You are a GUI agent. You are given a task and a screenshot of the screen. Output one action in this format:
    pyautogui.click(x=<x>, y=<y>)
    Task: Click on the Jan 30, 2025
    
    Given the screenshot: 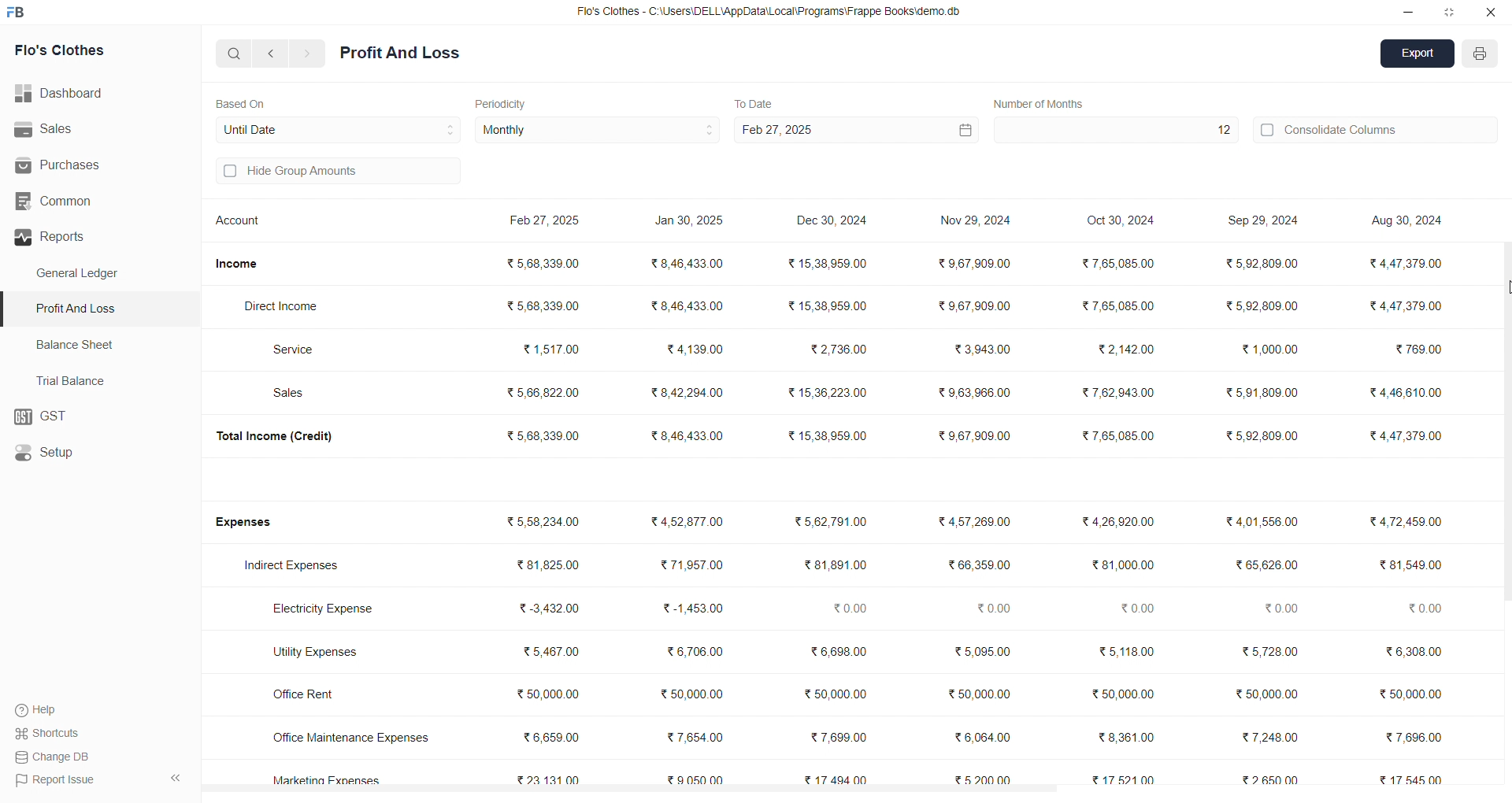 What is the action you would take?
    pyautogui.click(x=691, y=223)
    